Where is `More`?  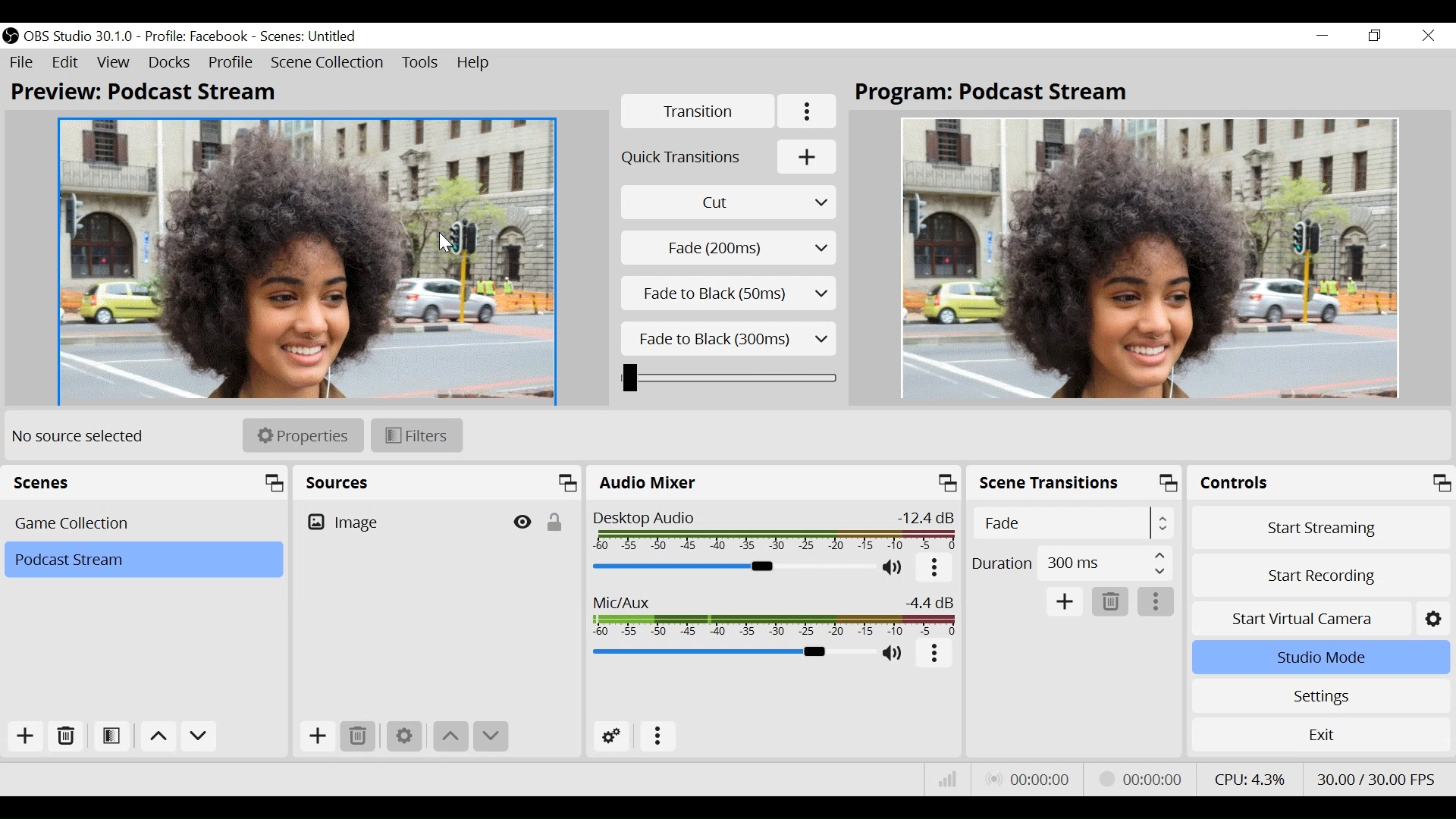
More is located at coordinates (809, 111).